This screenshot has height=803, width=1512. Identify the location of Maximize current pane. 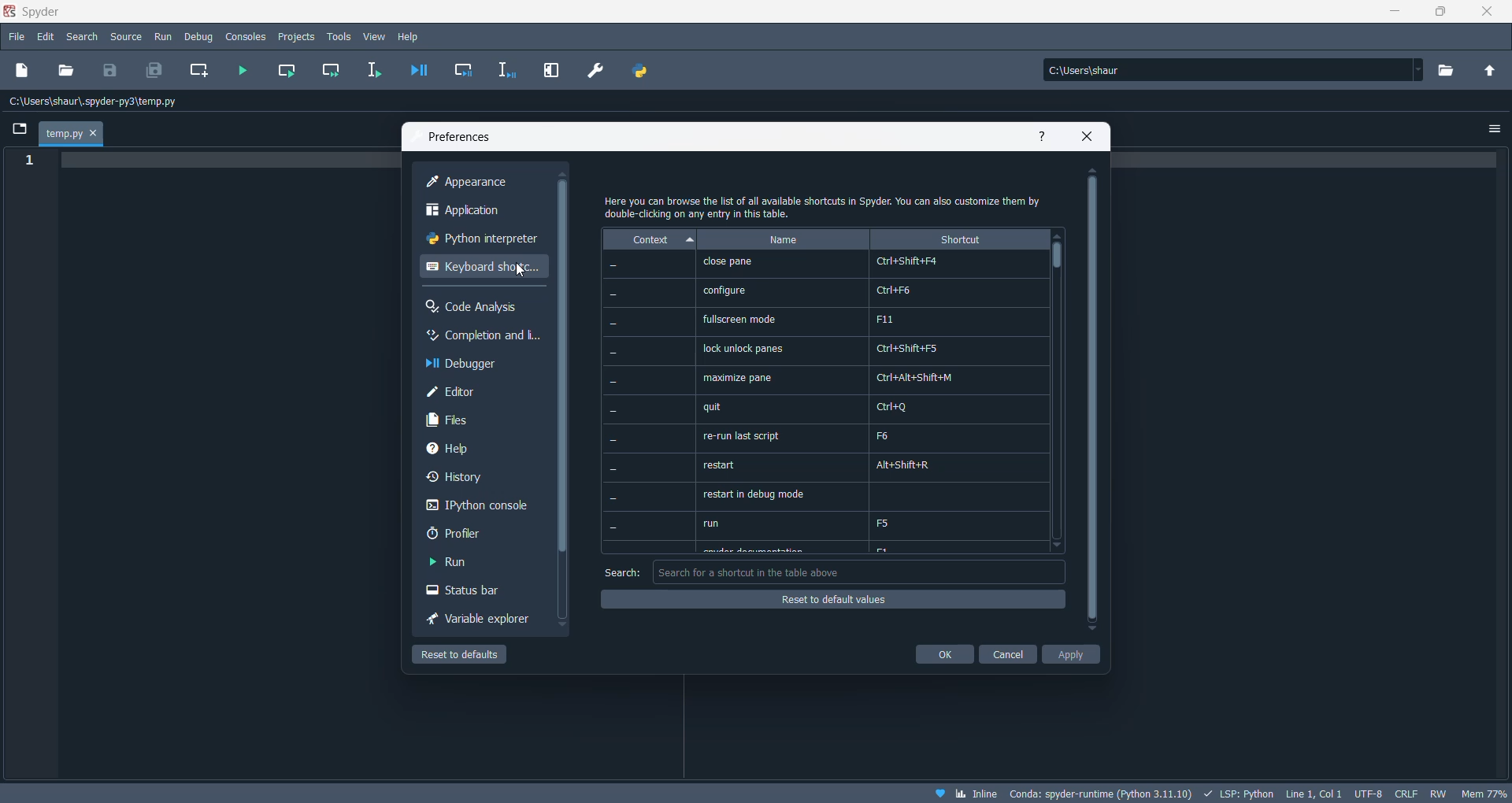
(551, 70).